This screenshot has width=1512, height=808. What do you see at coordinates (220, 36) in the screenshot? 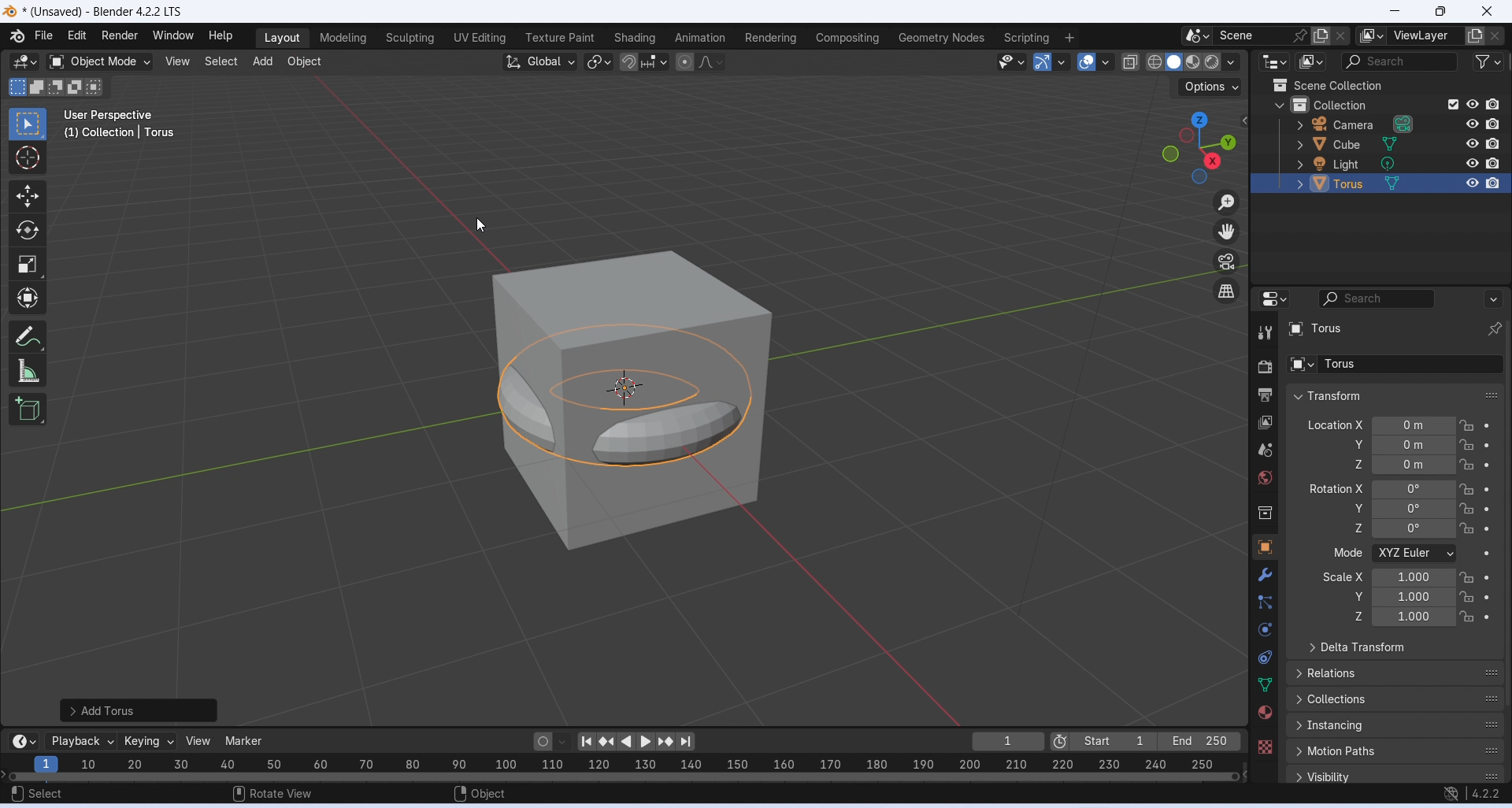
I see `Help` at bounding box center [220, 36].